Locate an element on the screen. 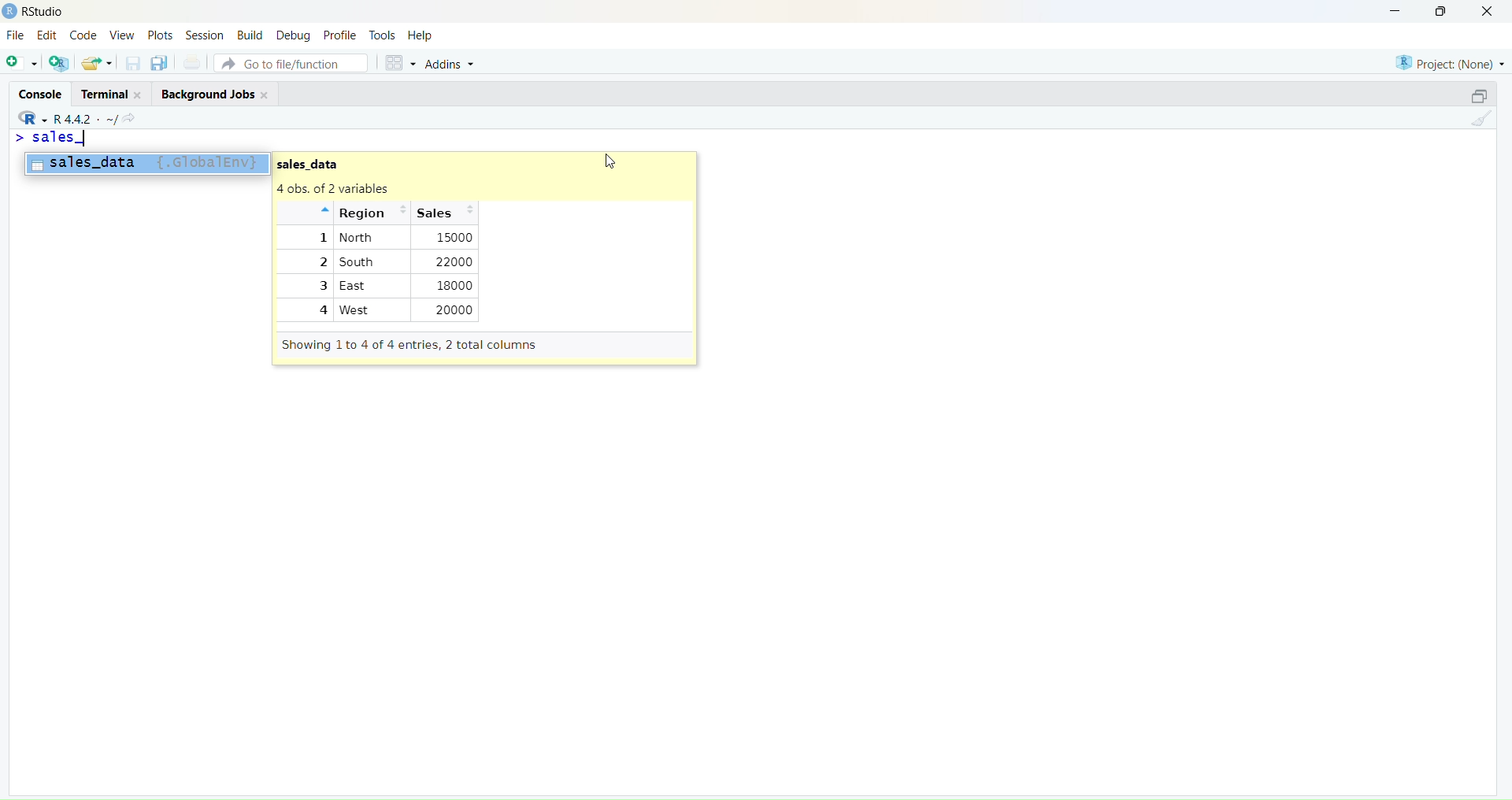  add script is located at coordinates (20, 64).